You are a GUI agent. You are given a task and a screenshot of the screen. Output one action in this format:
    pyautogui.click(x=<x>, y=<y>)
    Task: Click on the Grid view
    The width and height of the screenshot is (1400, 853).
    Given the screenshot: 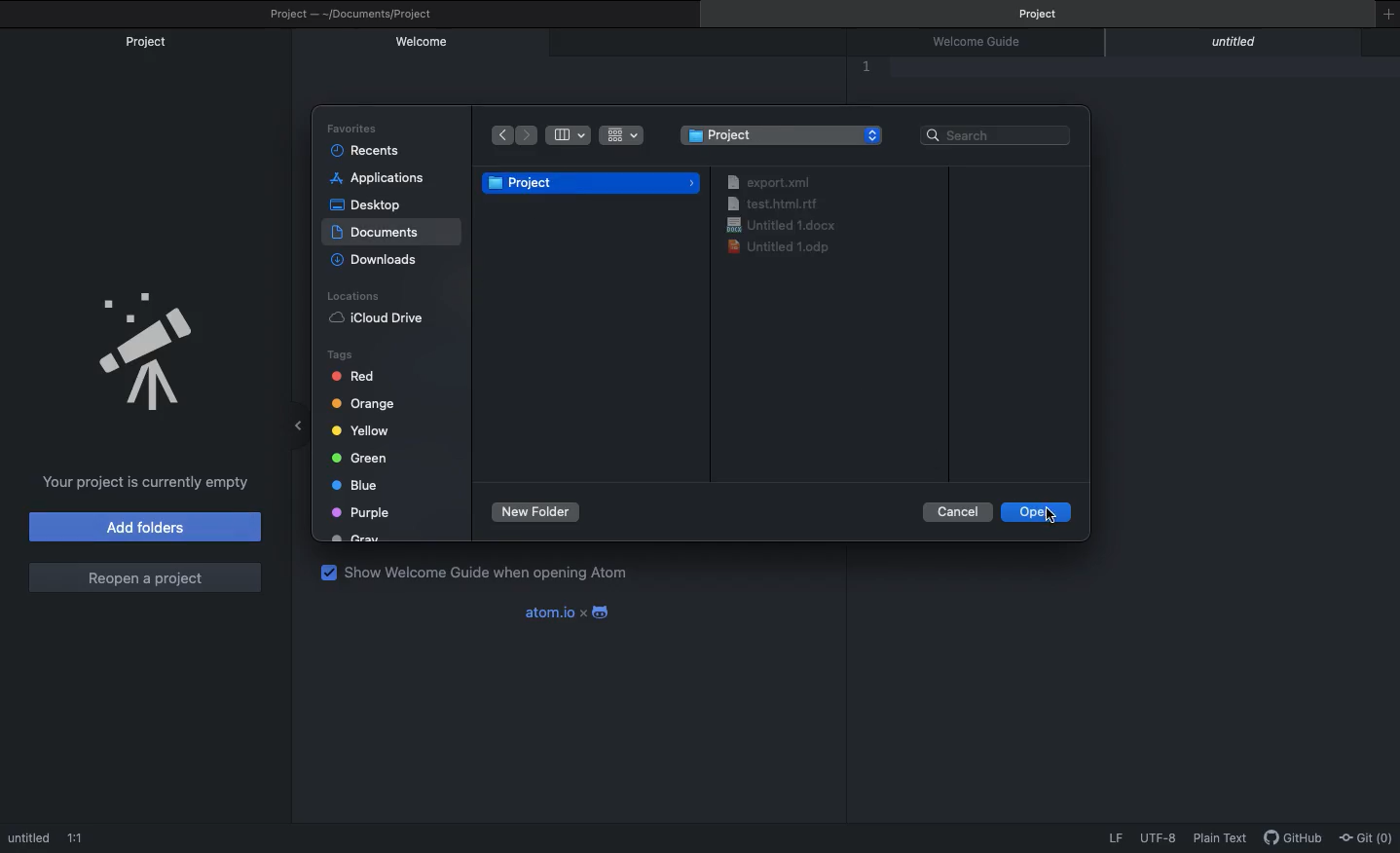 What is the action you would take?
    pyautogui.click(x=622, y=136)
    